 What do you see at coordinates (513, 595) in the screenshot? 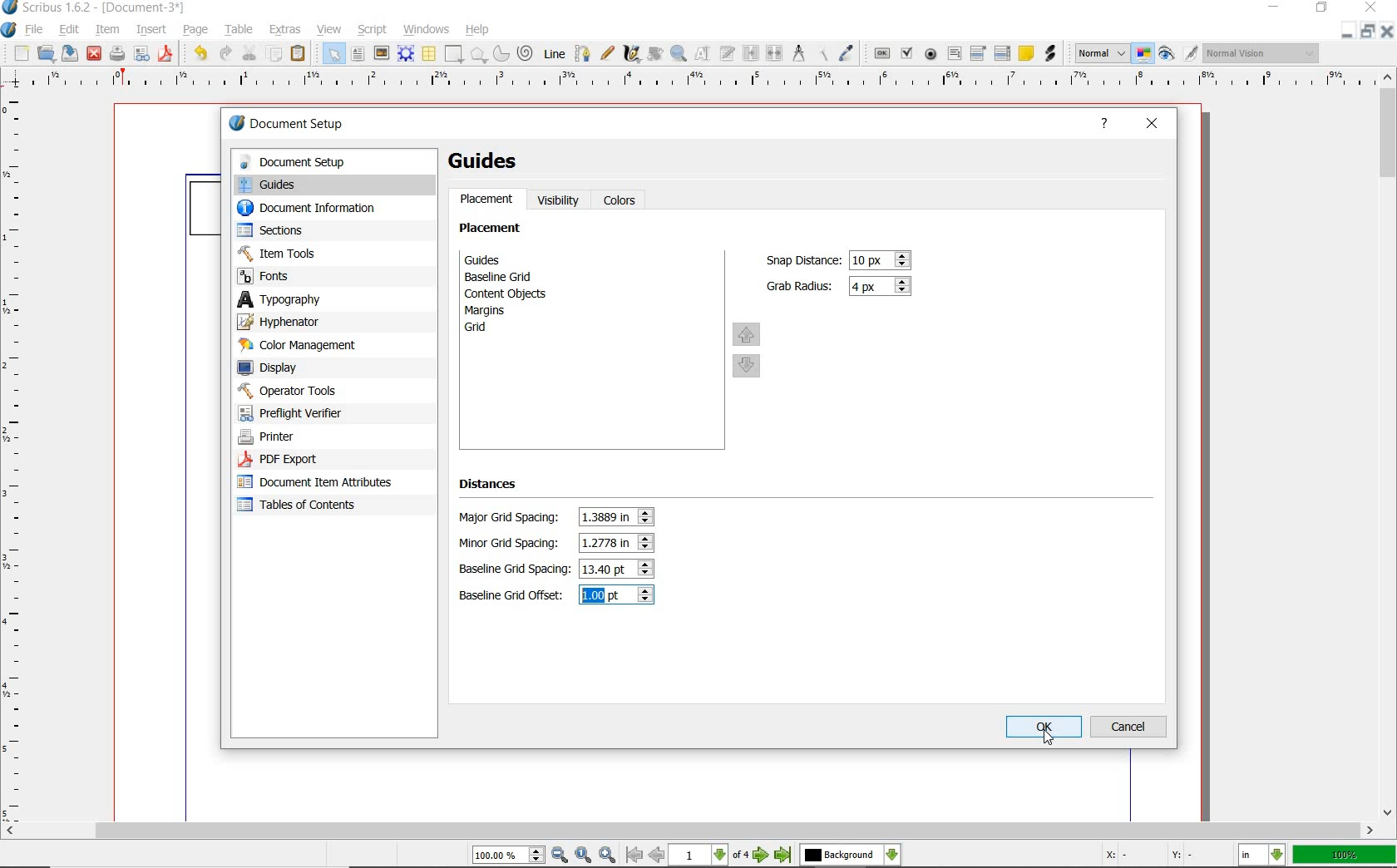
I see `Baseline Grid Offset:` at bounding box center [513, 595].